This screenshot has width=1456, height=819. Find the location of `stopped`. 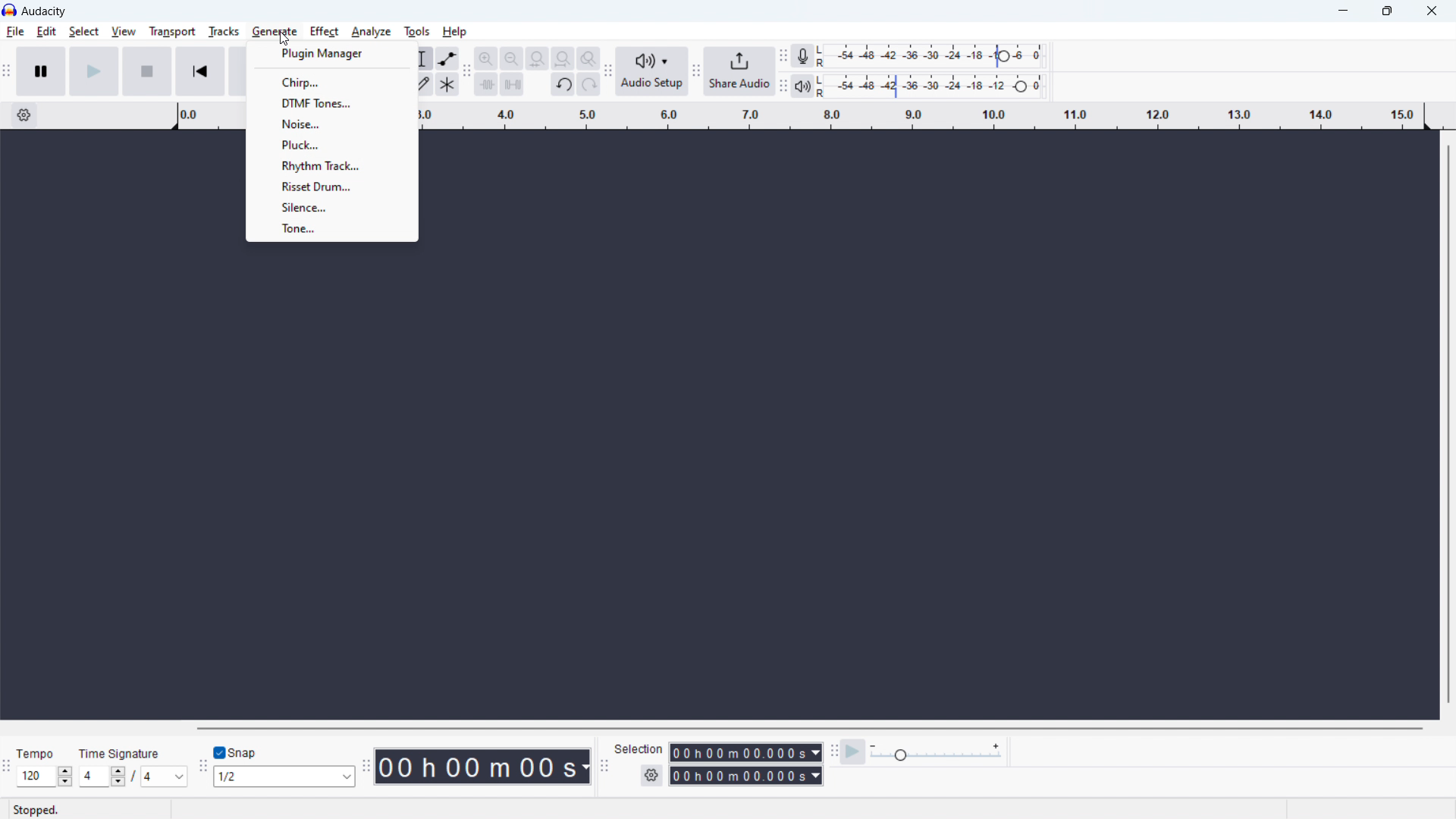

stopped is located at coordinates (44, 810).